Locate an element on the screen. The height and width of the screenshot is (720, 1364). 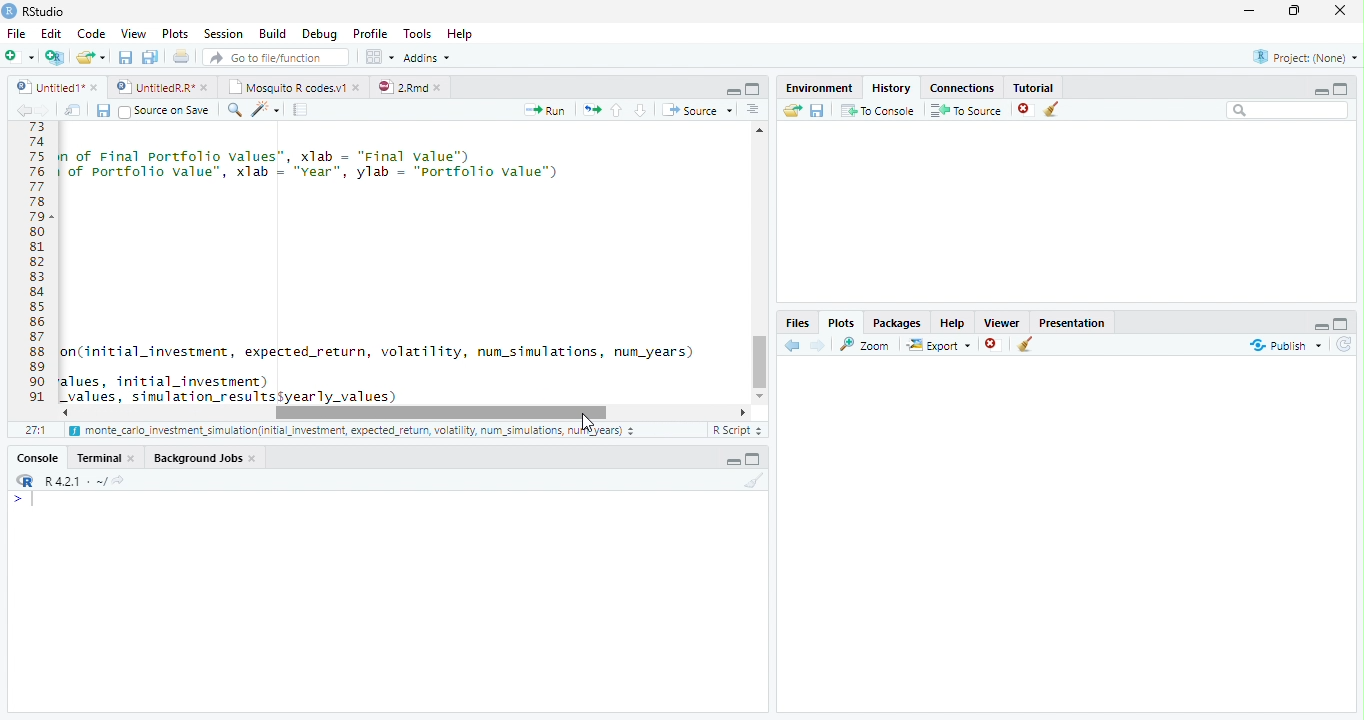
Source on save is located at coordinates (166, 111).